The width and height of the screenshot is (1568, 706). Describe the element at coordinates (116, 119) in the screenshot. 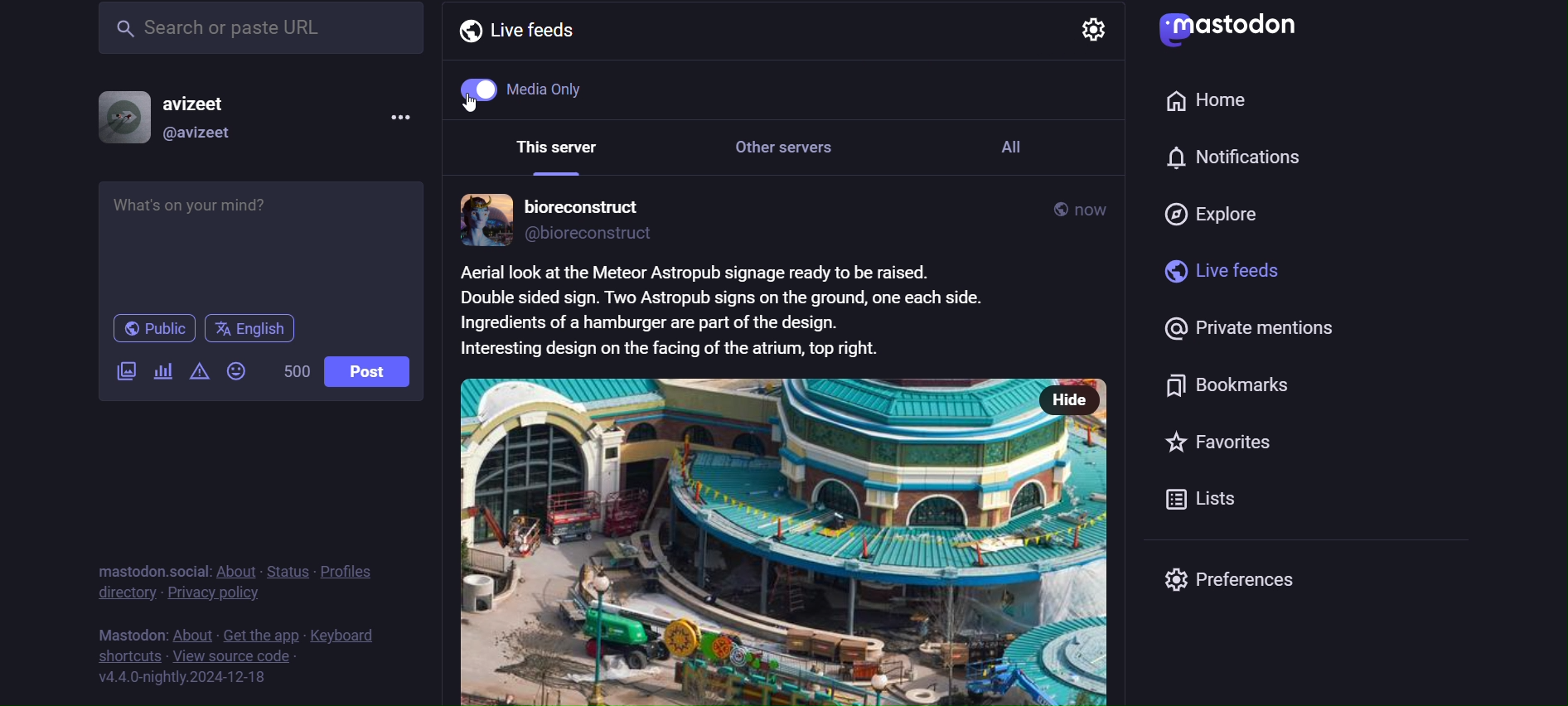

I see `display picture` at that location.